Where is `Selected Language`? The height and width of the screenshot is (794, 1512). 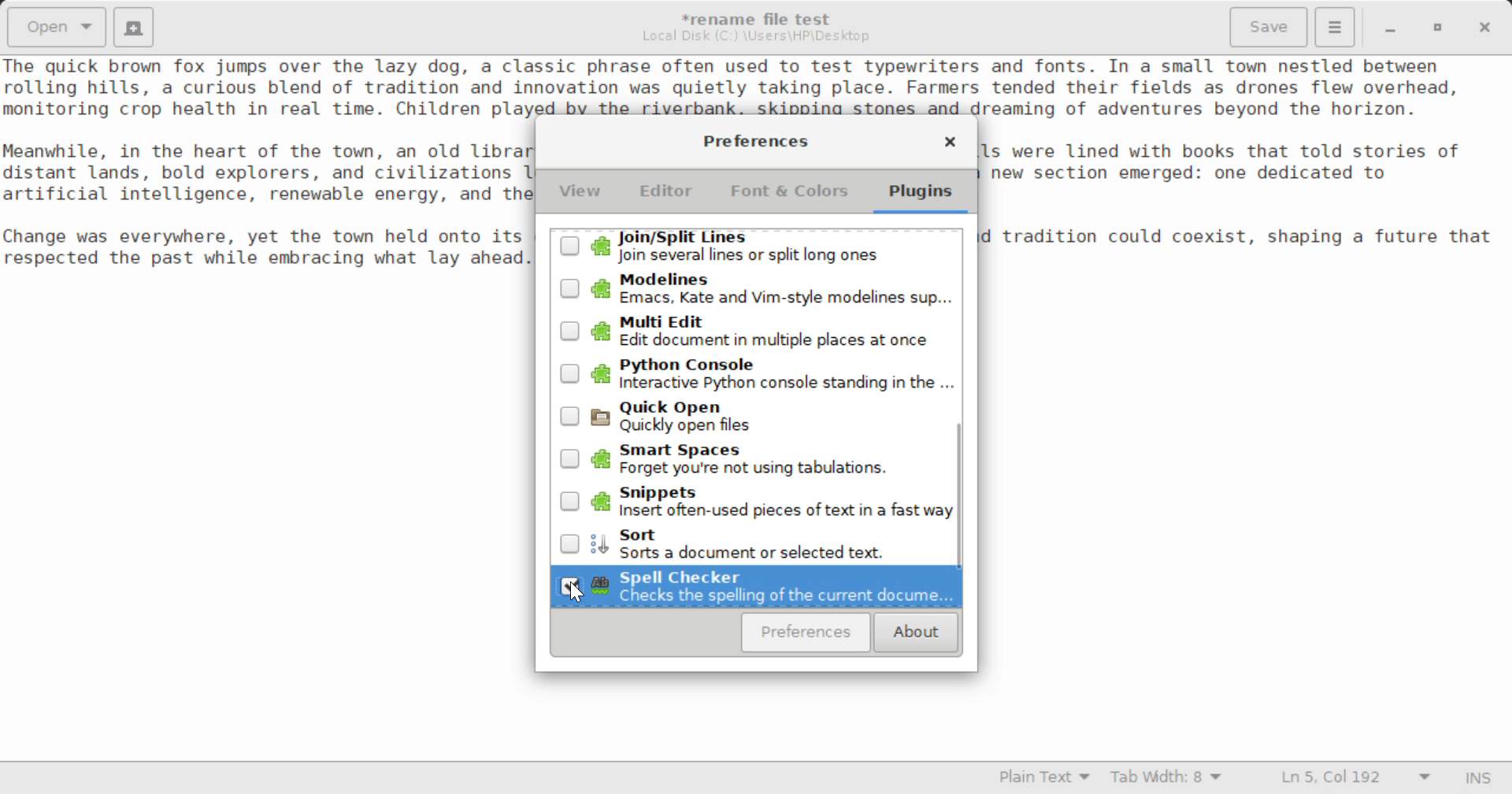
Selected Language is located at coordinates (1045, 779).